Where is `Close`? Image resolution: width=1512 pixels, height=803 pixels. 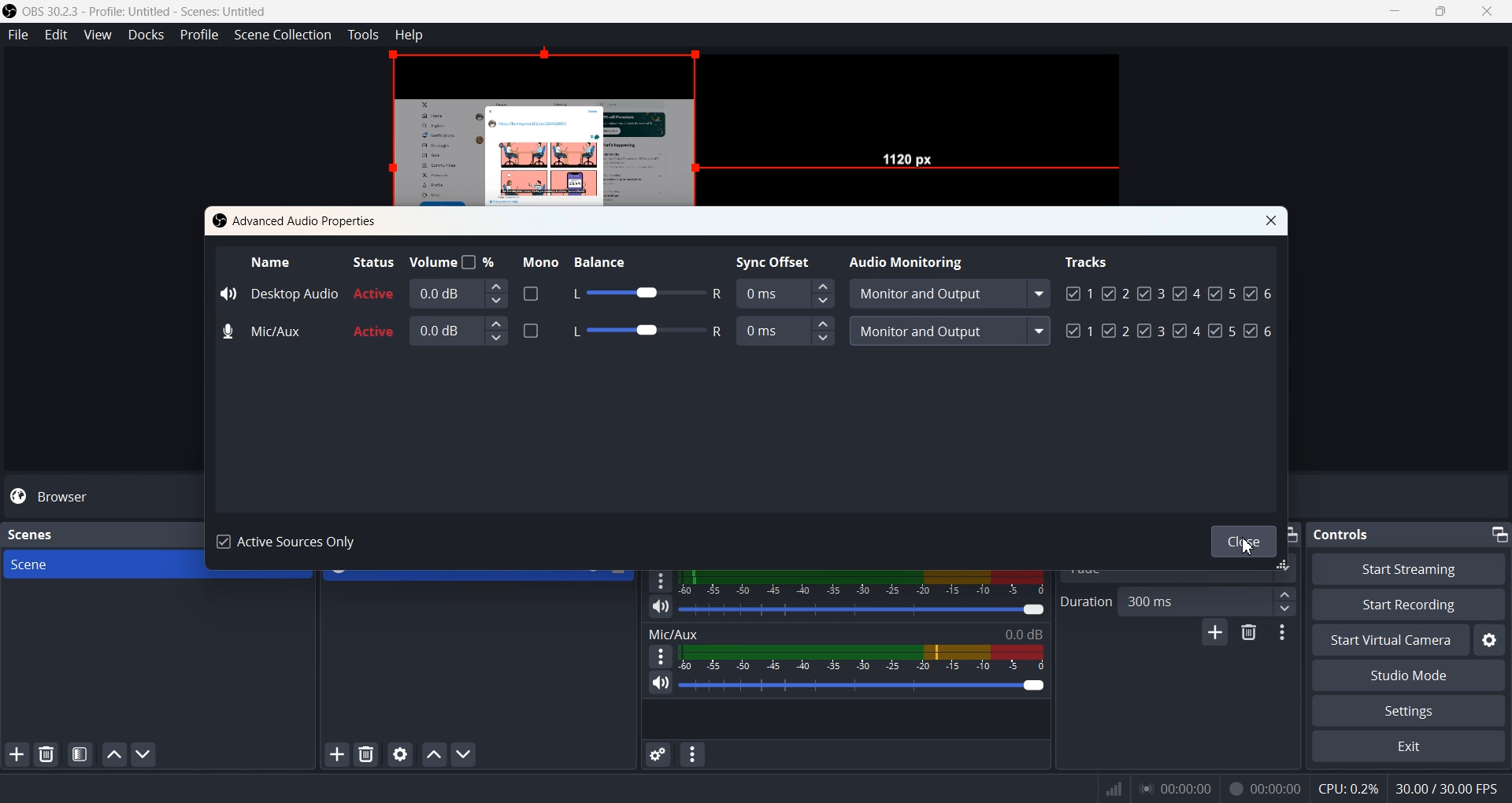
Close is located at coordinates (1239, 539).